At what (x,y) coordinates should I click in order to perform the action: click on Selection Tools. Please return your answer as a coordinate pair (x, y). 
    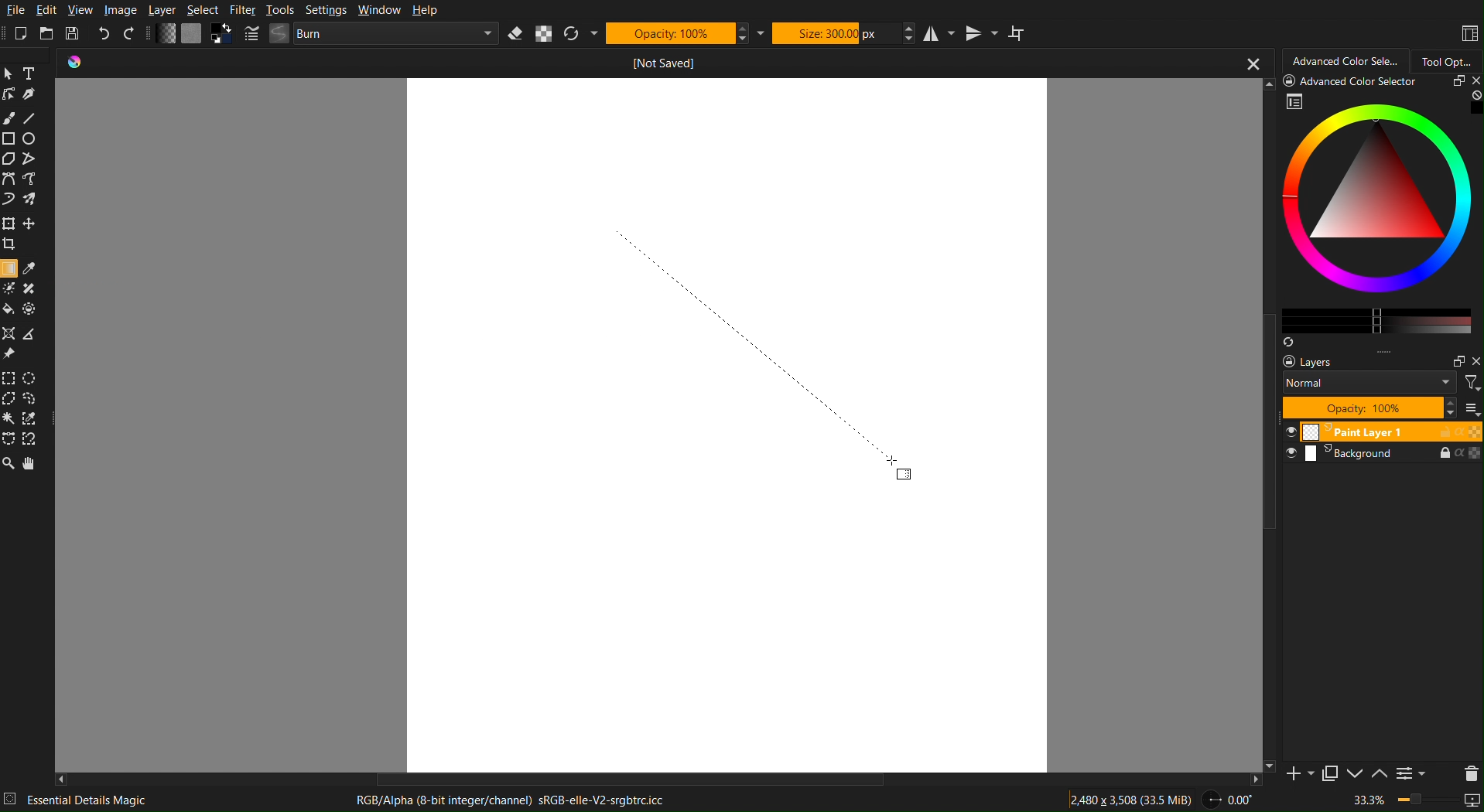
    Looking at the image, I should click on (26, 407).